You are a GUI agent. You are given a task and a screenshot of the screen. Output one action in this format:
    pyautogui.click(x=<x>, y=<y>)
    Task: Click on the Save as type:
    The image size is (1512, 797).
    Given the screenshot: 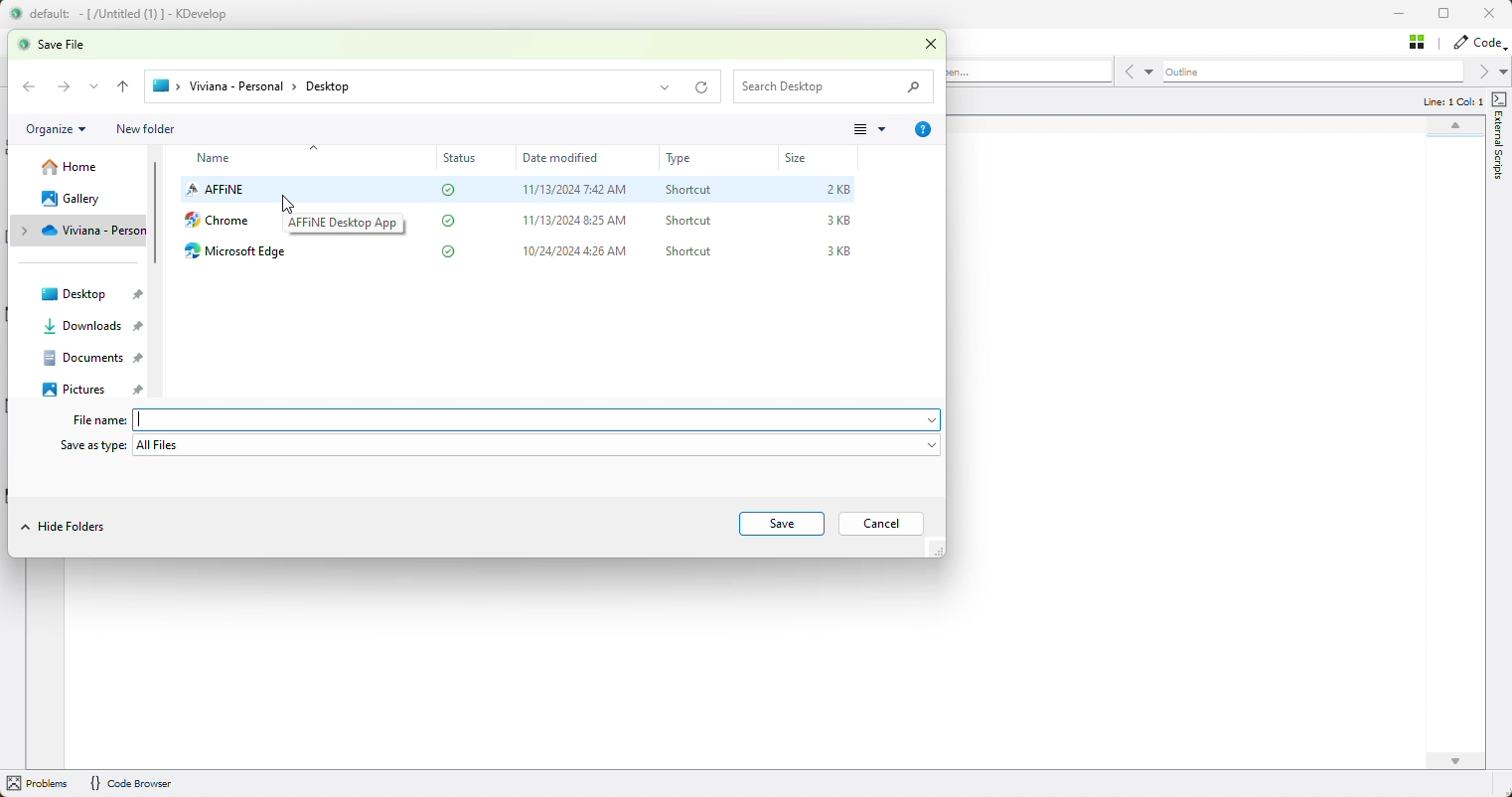 What is the action you would take?
    pyautogui.click(x=93, y=448)
    